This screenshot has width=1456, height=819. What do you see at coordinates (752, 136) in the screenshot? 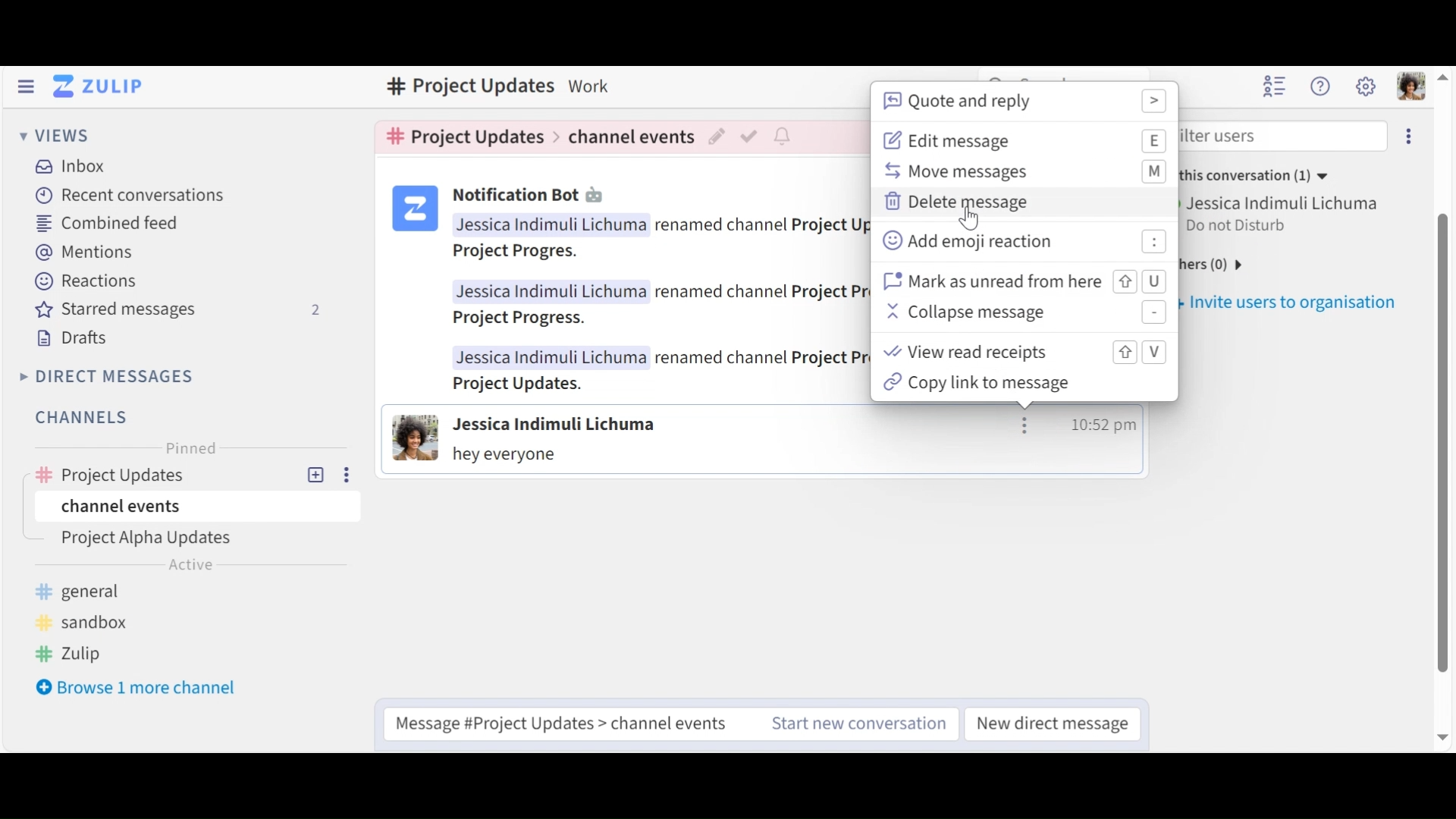
I see `Mark as resolved` at bounding box center [752, 136].